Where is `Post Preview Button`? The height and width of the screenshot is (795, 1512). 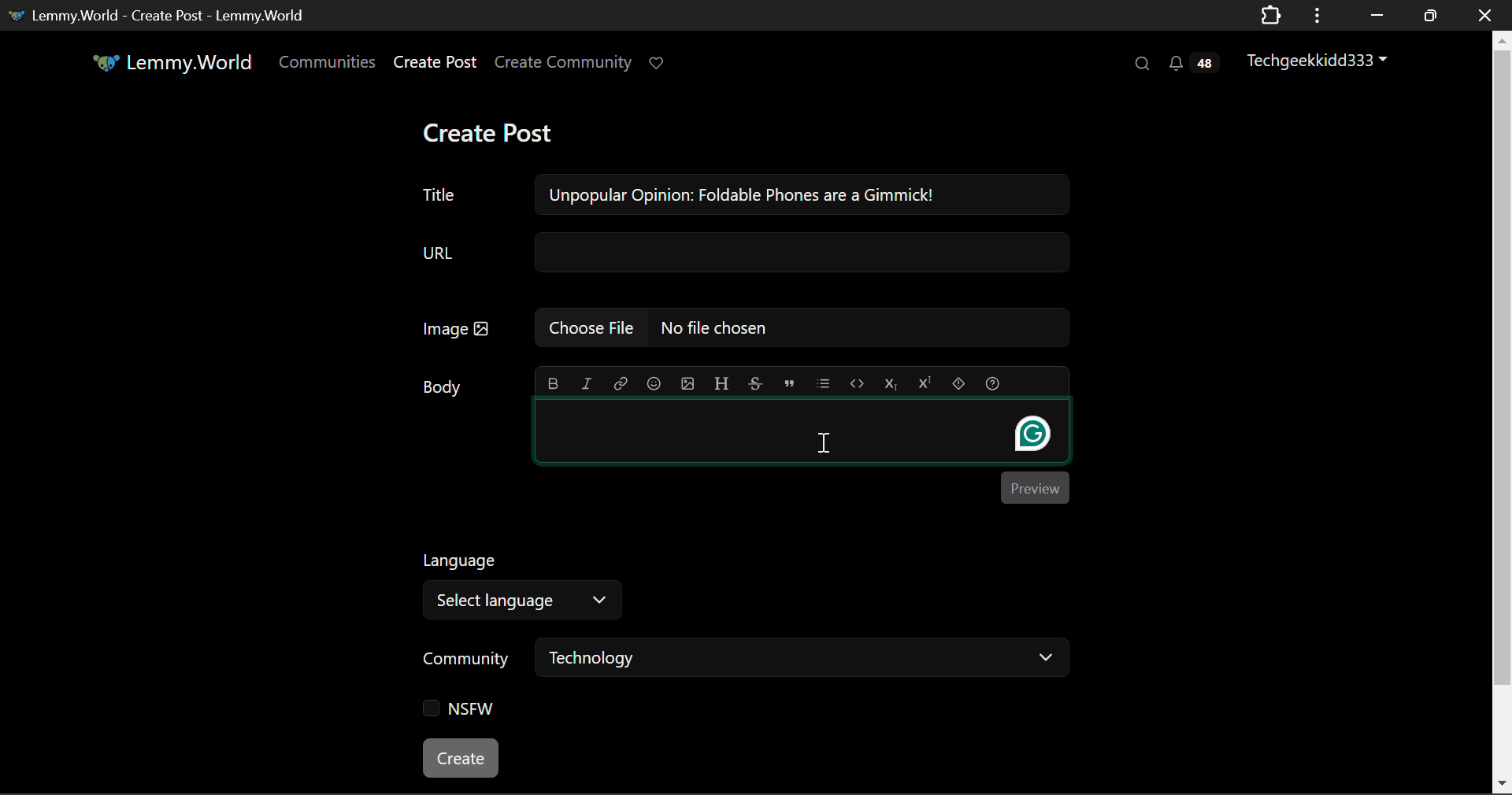
Post Preview Button is located at coordinates (1034, 486).